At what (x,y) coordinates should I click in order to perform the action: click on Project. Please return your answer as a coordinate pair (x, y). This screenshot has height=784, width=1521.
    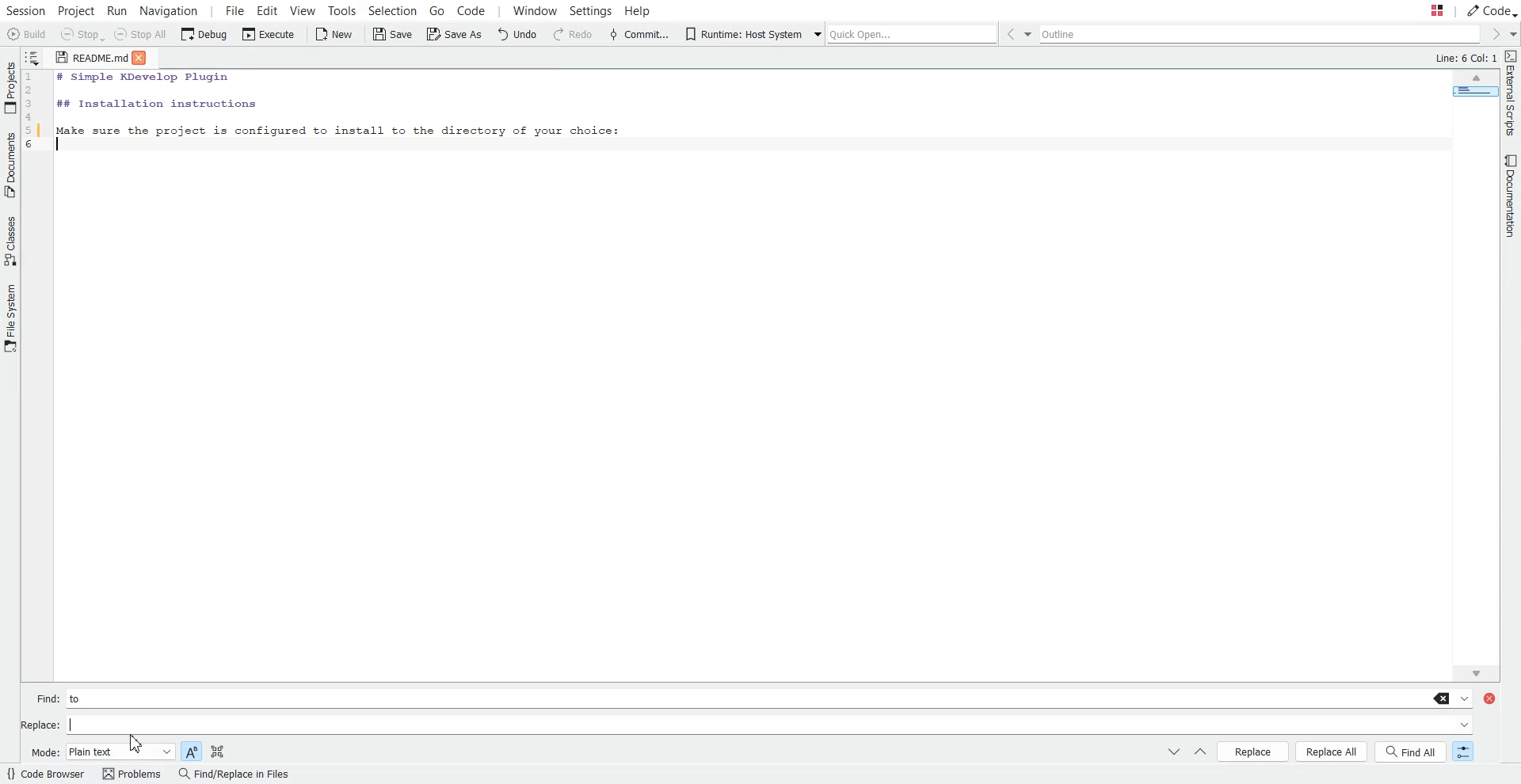
    Looking at the image, I should click on (77, 10).